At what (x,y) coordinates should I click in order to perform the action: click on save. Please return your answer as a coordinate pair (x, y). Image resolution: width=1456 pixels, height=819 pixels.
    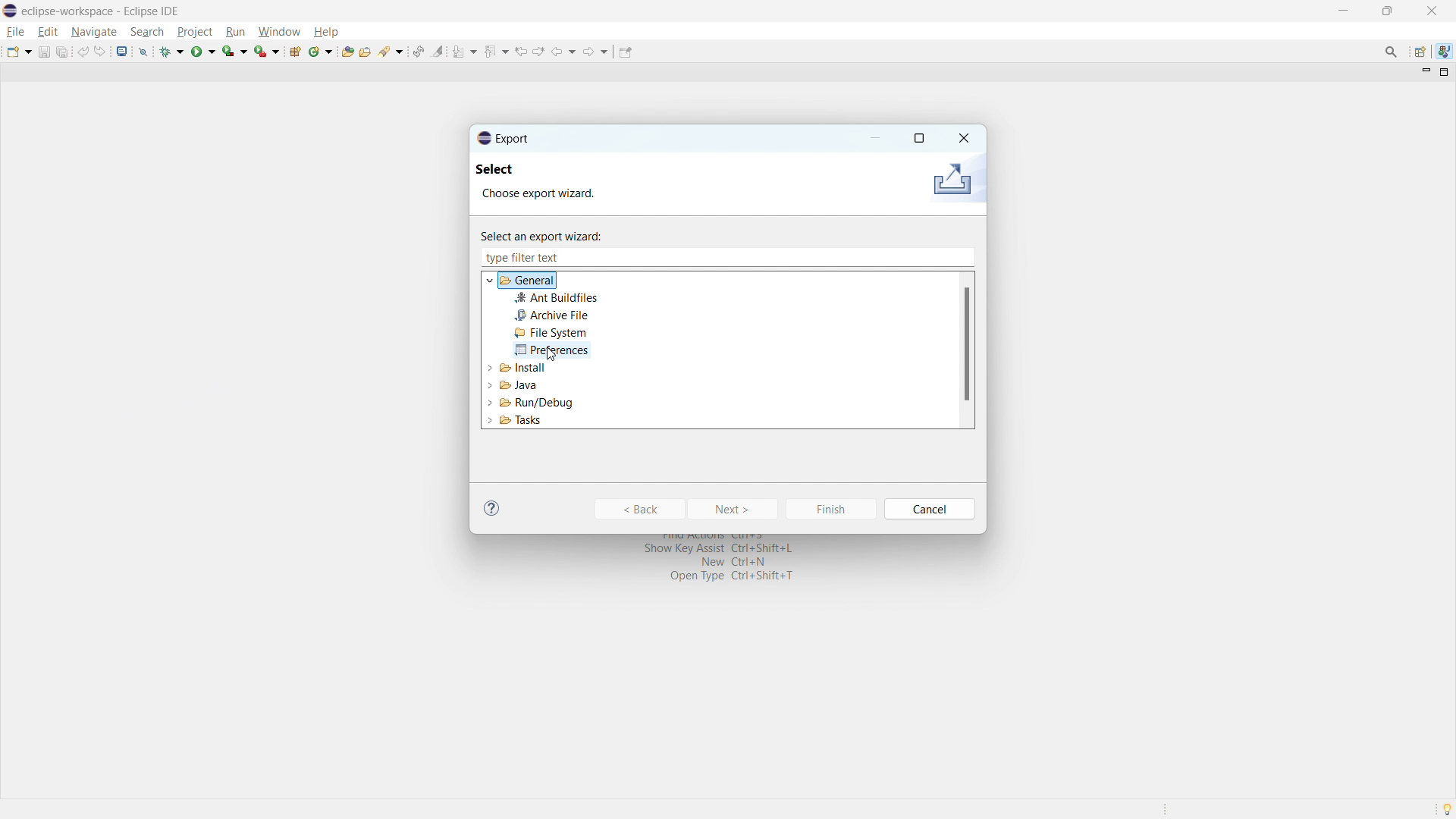
    Looking at the image, I should click on (43, 52).